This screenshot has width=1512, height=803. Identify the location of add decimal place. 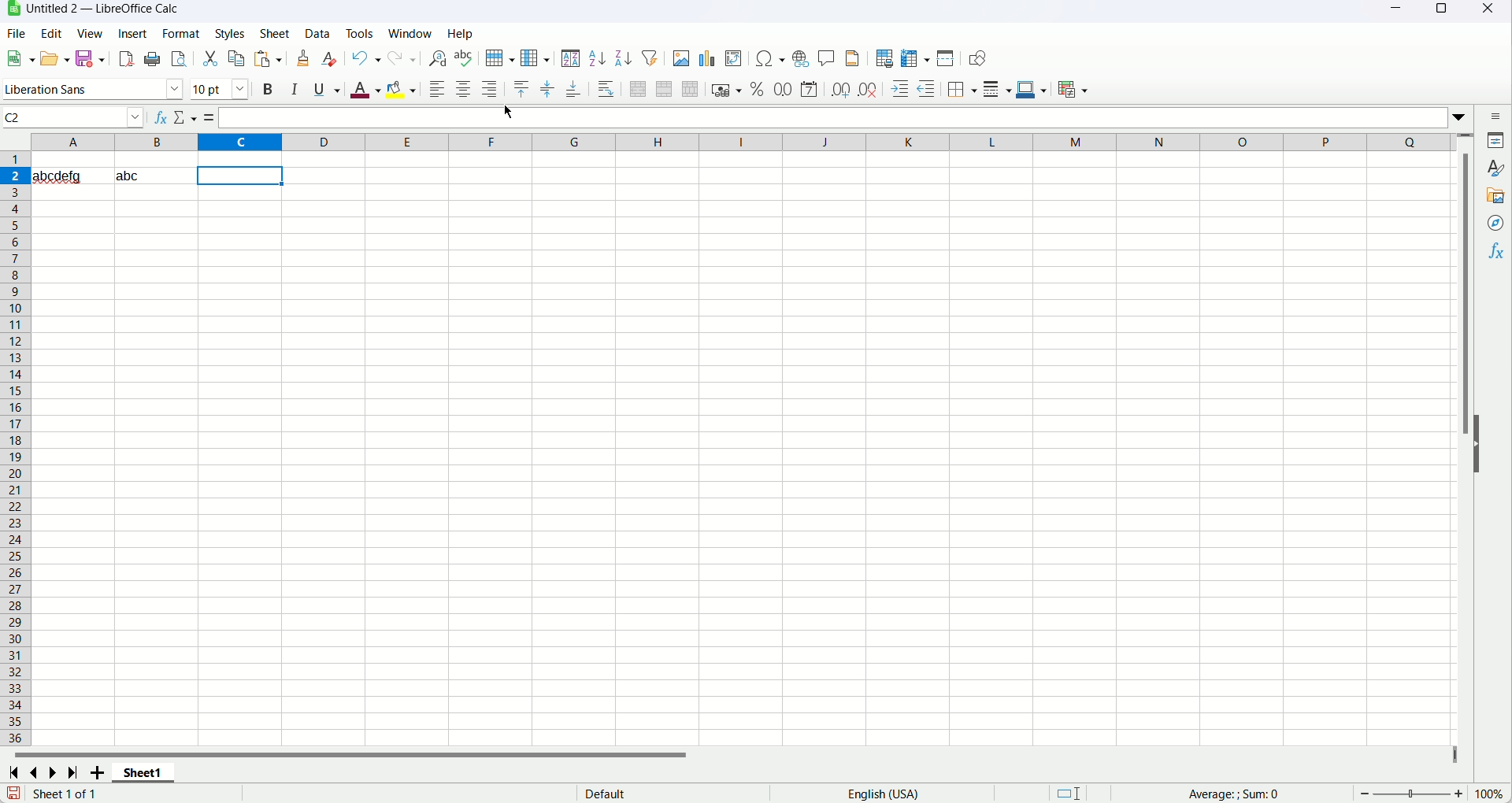
(841, 89).